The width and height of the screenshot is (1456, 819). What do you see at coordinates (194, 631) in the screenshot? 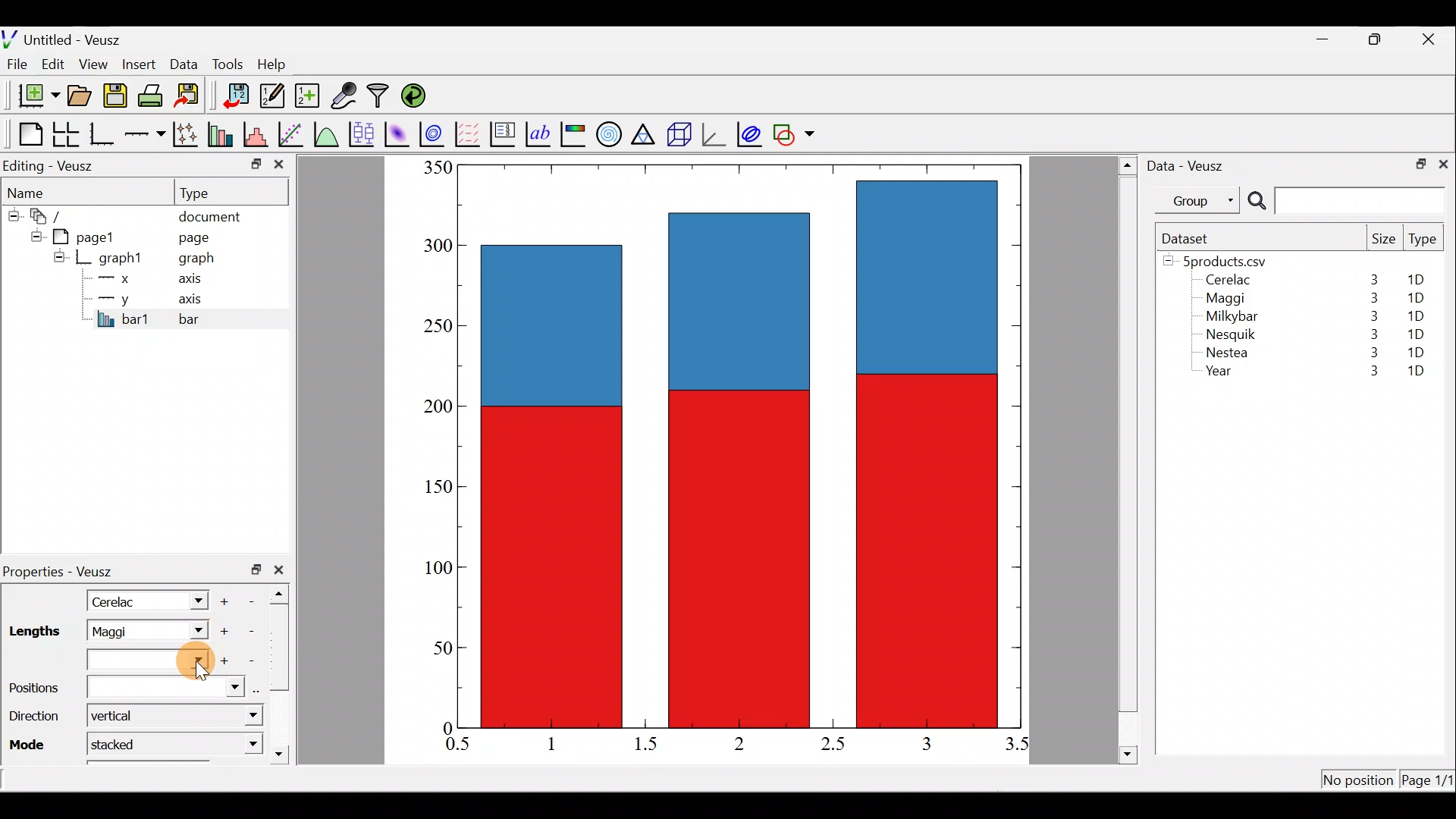
I see `Length dropdown` at bounding box center [194, 631].